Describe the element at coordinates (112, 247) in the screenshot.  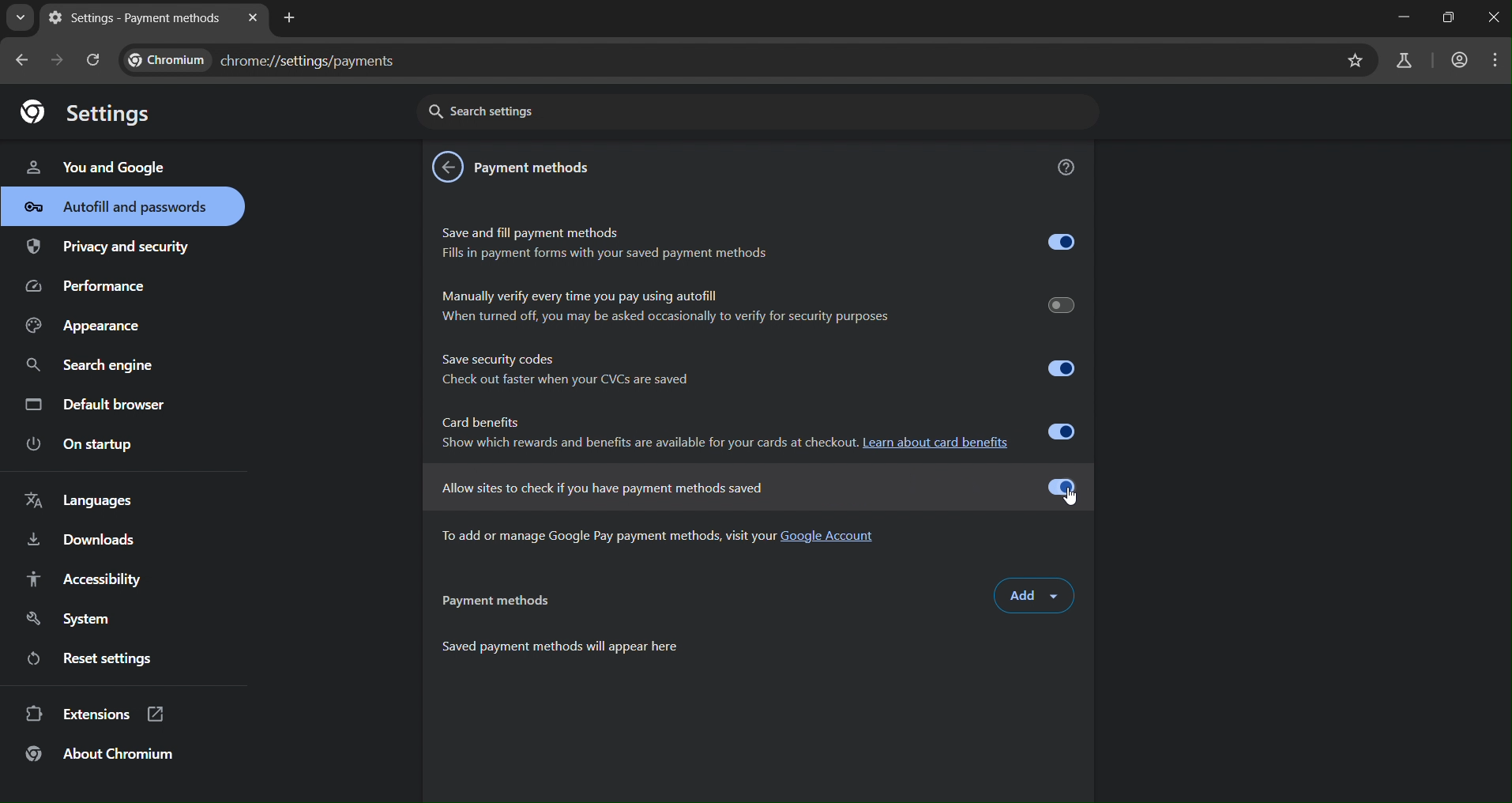
I see `privacy & security` at that location.